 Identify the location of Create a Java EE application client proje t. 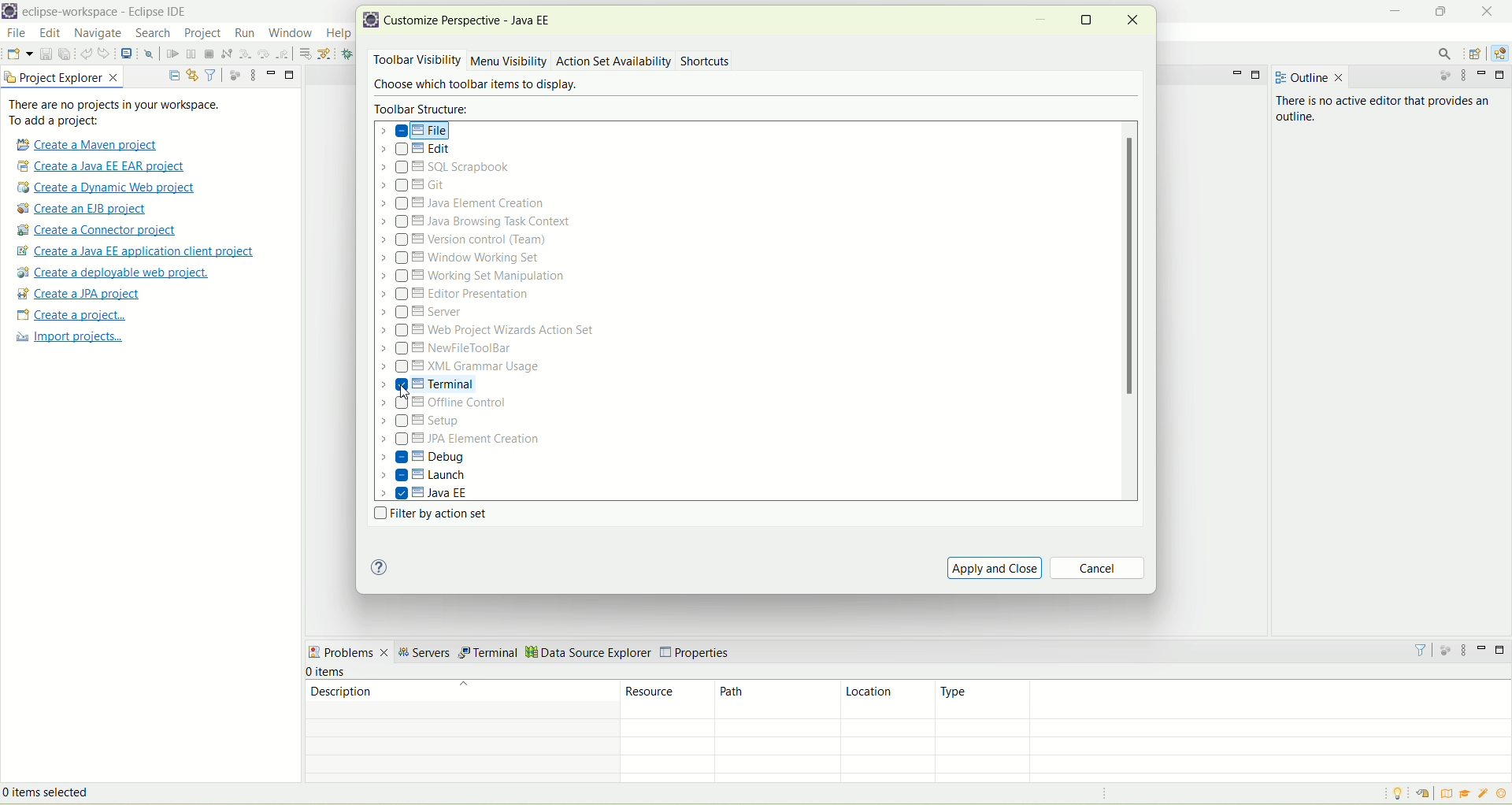
(139, 251).